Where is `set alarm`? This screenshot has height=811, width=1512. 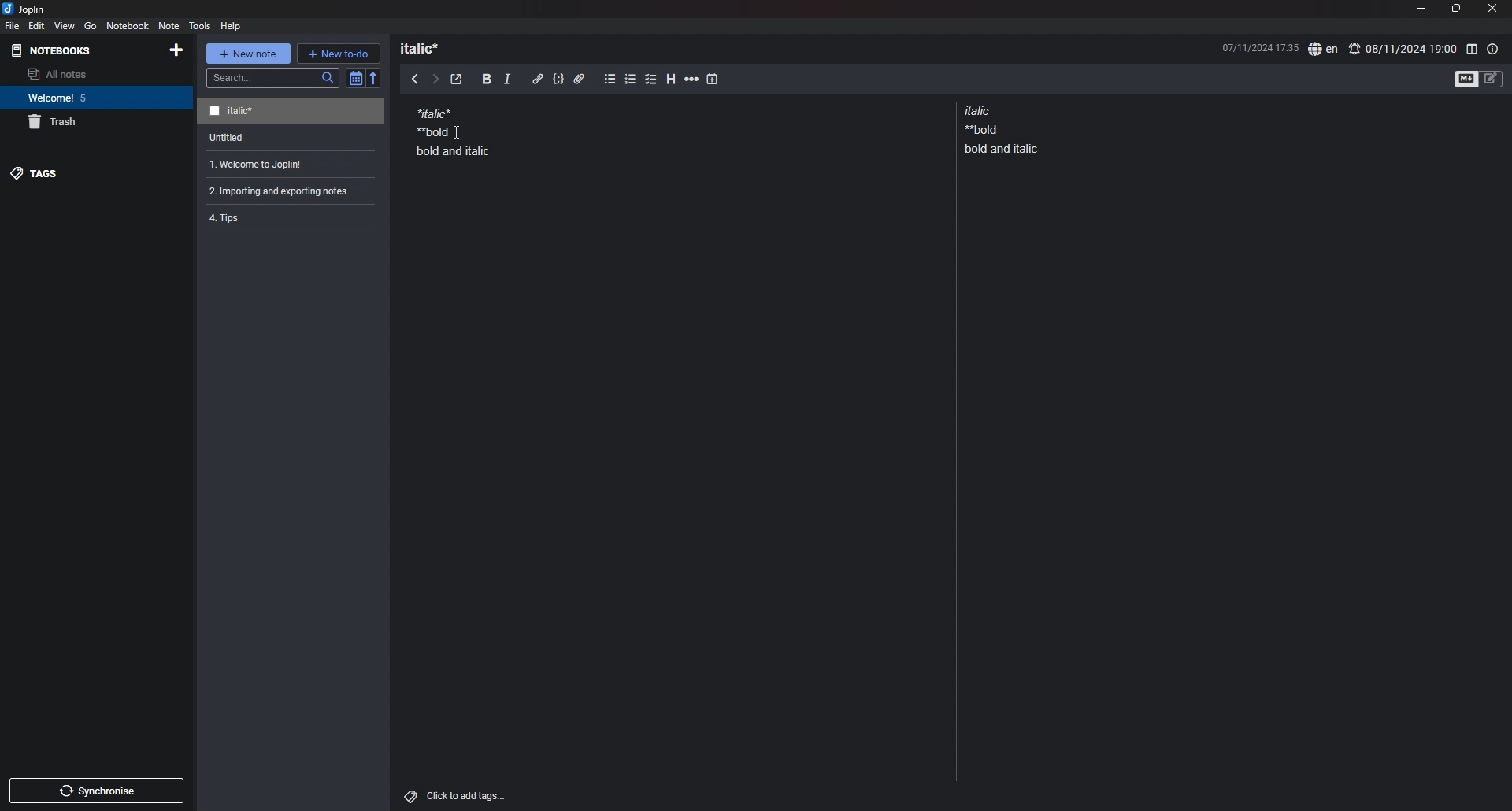
set alarm is located at coordinates (1403, 48).